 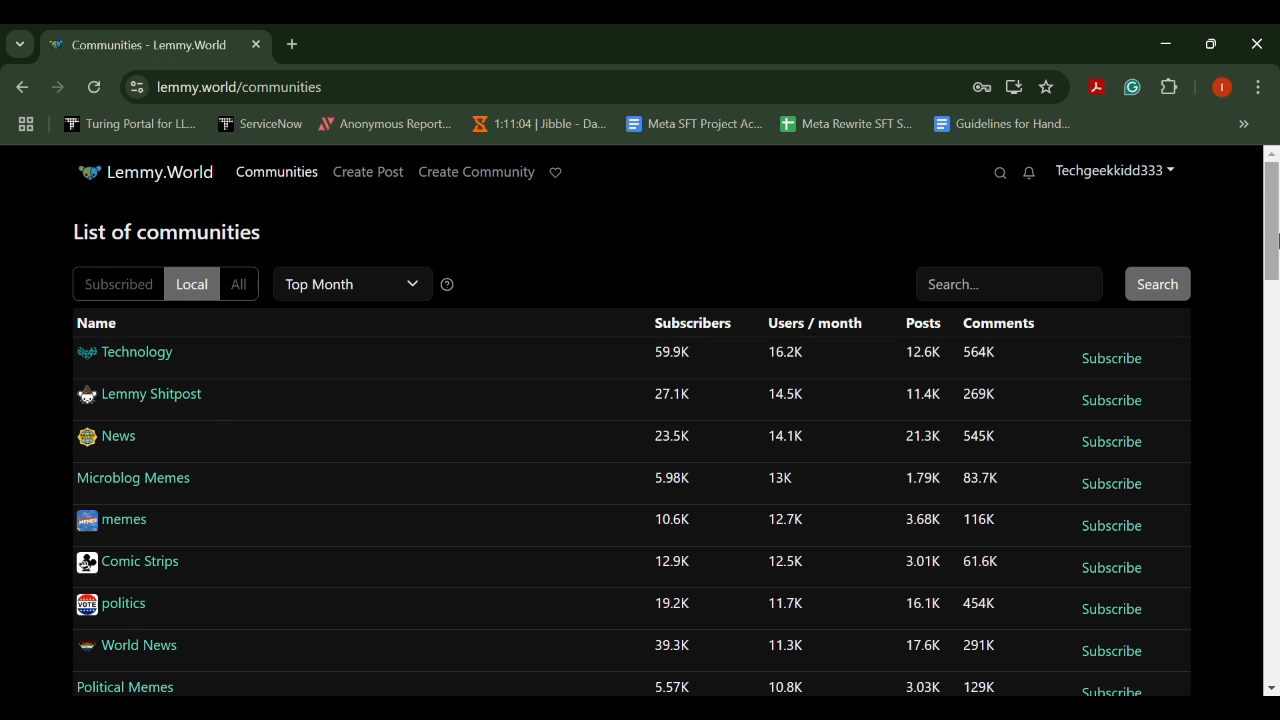 I want to click on Microblog Memes, so click(x=134, y=480).